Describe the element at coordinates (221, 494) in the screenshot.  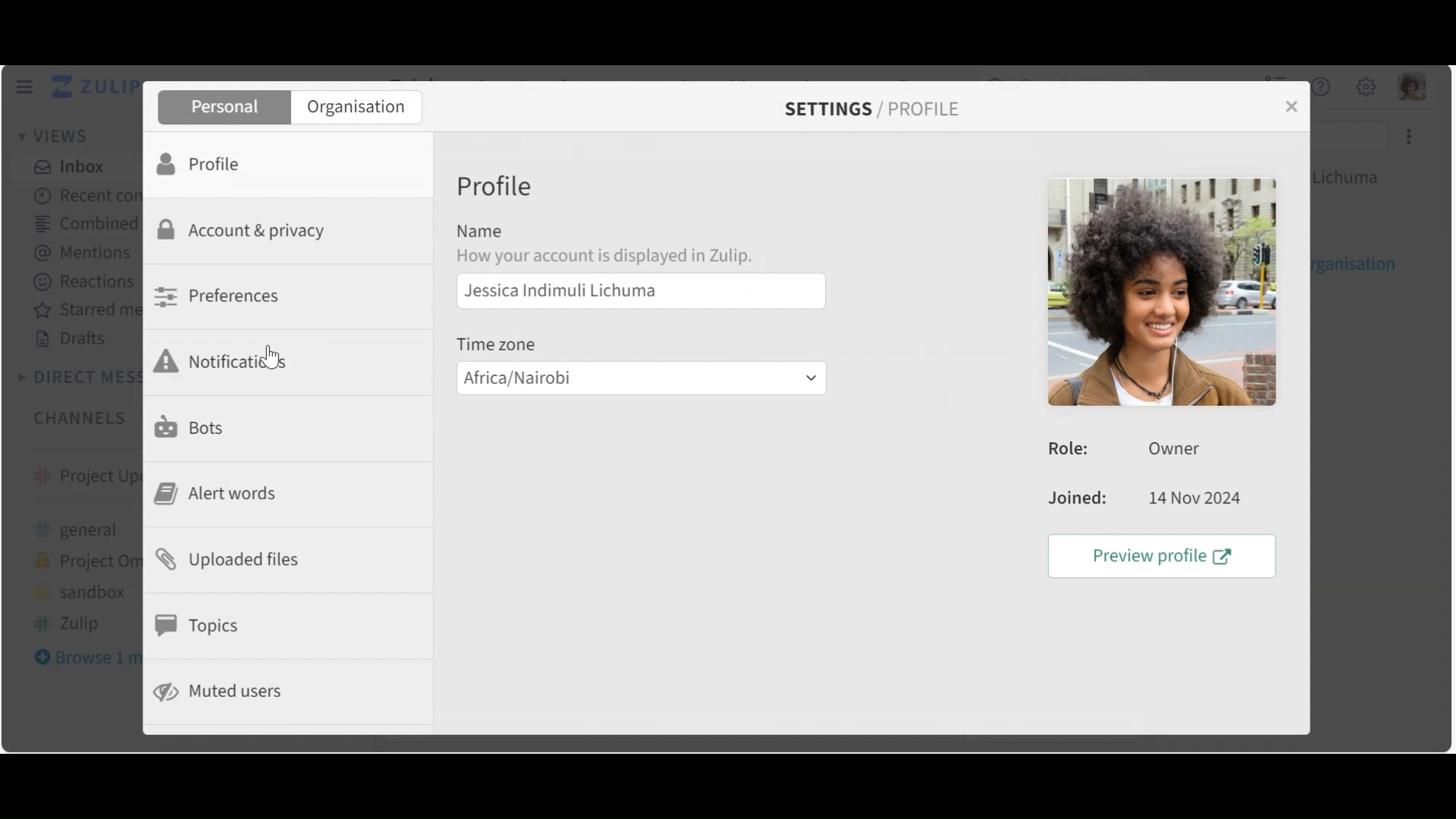
I see `Alert Words` at that location.